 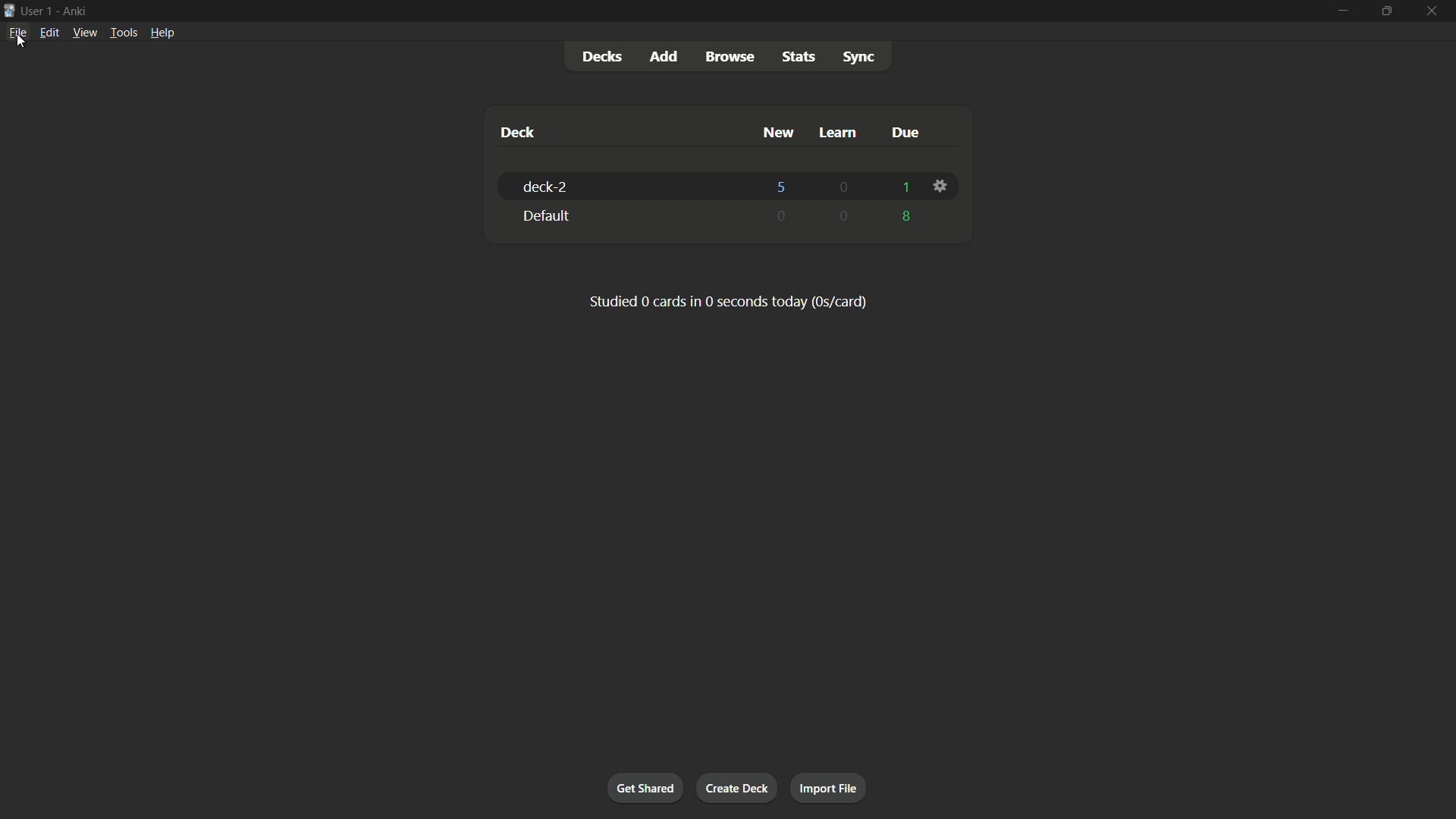 I want to click on Stats, so click(x=798, y=56).